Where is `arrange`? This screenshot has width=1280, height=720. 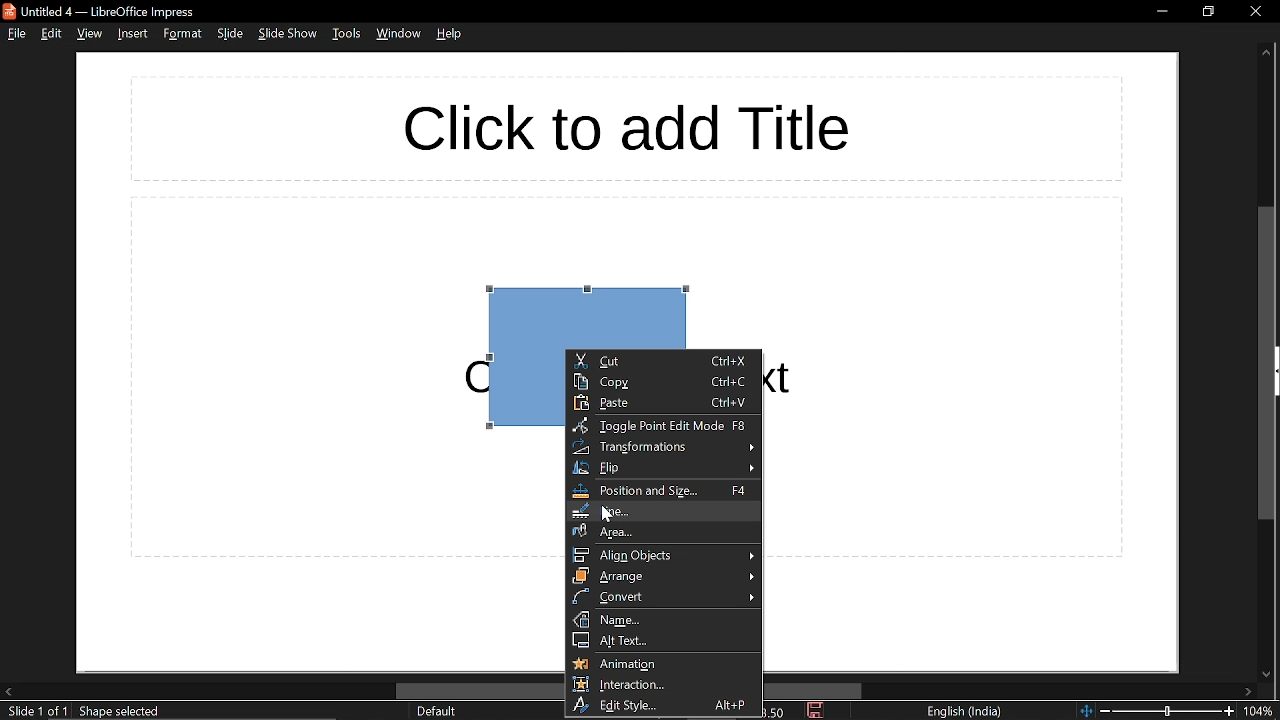 arrange is located at coordinates (666, 575).